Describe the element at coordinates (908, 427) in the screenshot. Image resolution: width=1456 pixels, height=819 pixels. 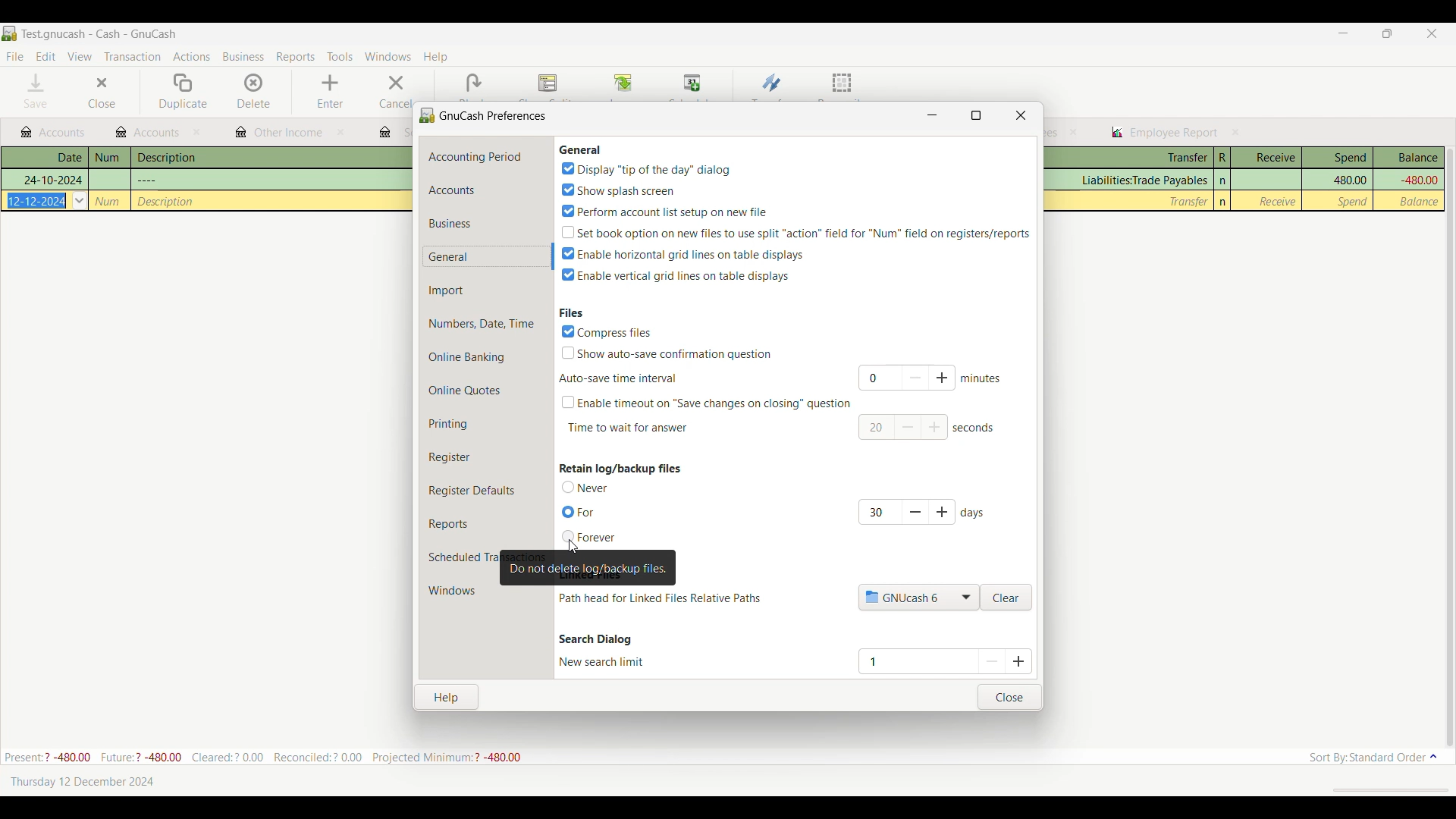
I see `Subtract ` at that location.